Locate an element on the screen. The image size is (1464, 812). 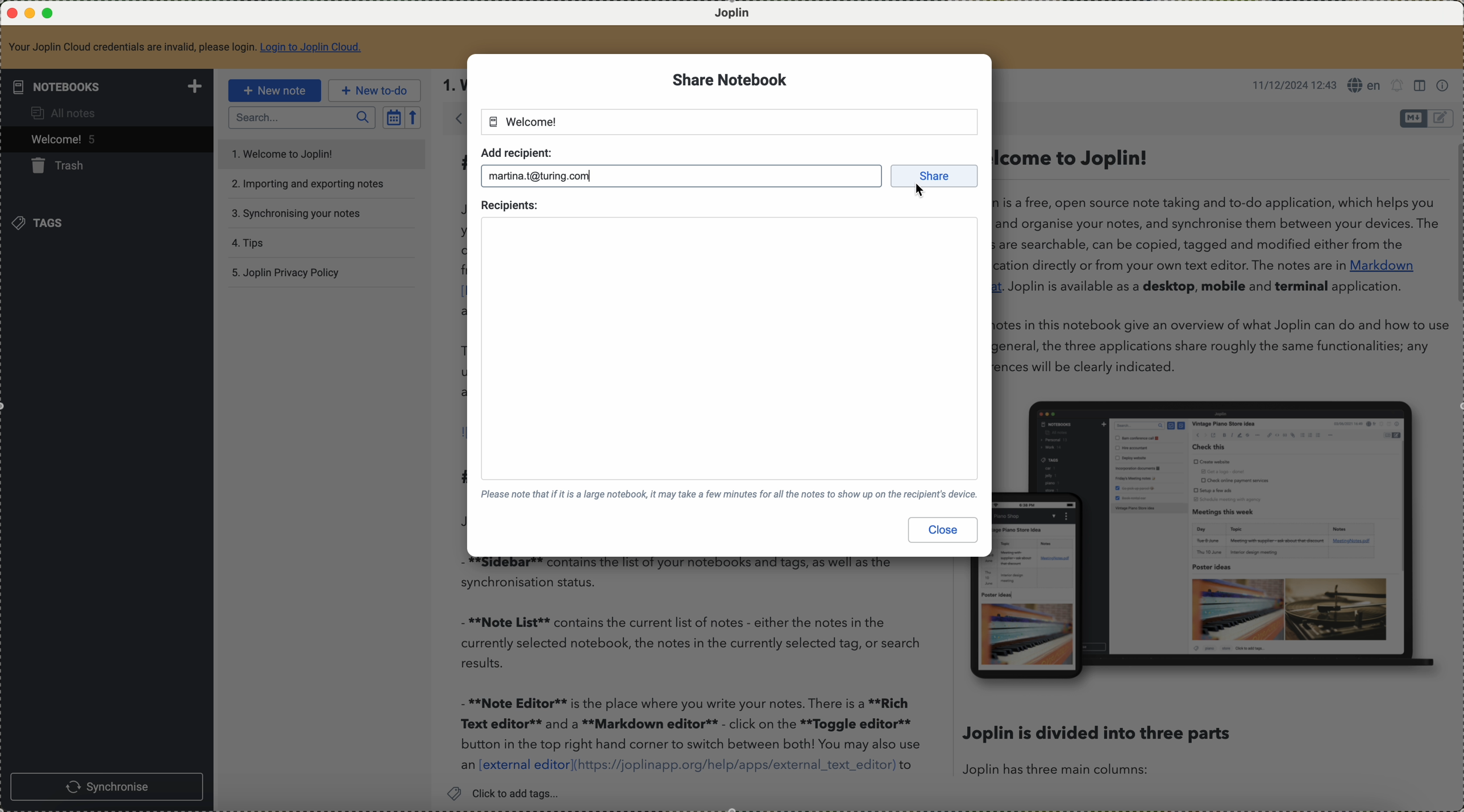
click on welcome note is located at coordinates (105, 141).